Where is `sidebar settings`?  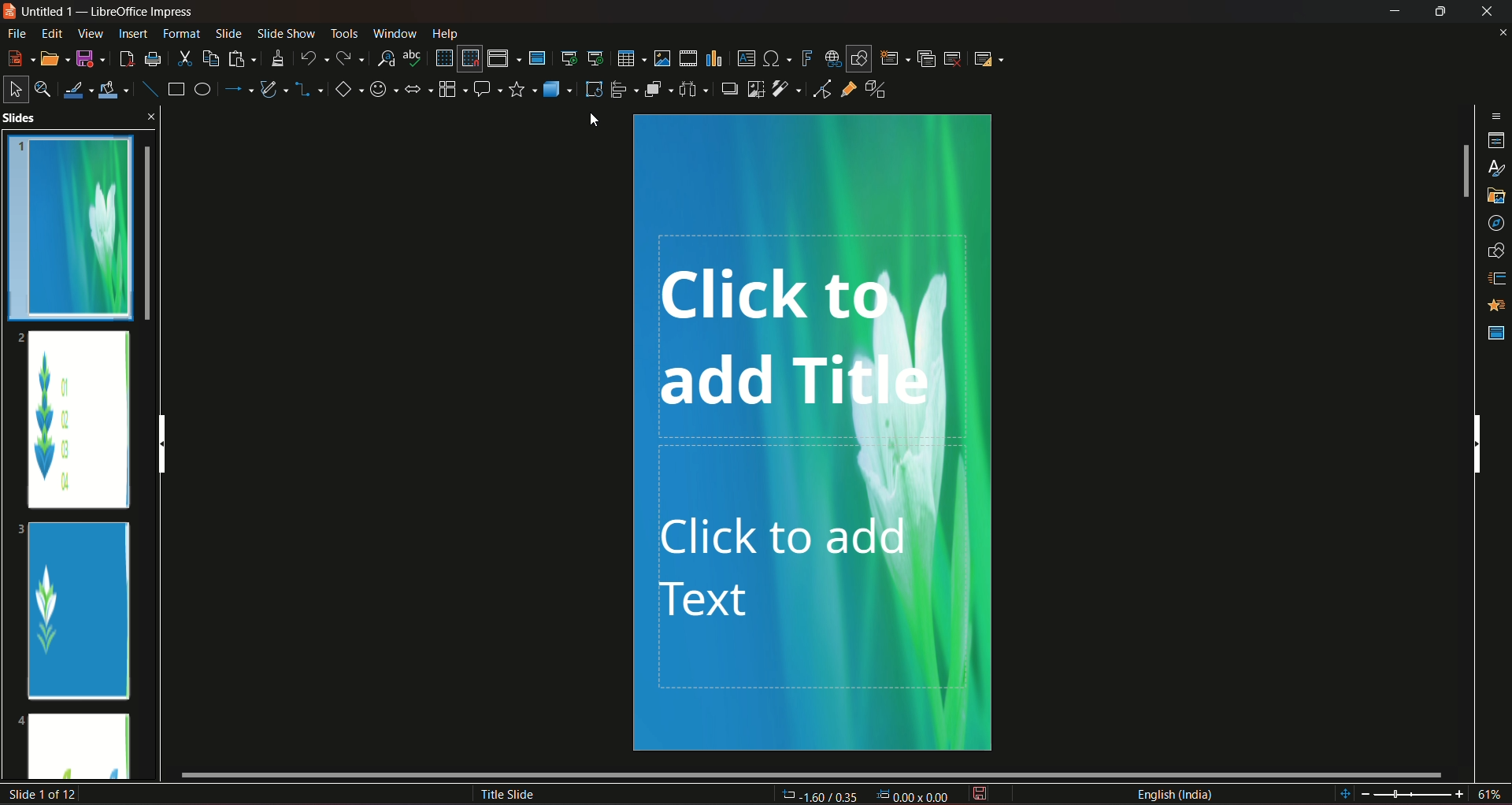 sidebar settings is located at coordinates (1496, 114).